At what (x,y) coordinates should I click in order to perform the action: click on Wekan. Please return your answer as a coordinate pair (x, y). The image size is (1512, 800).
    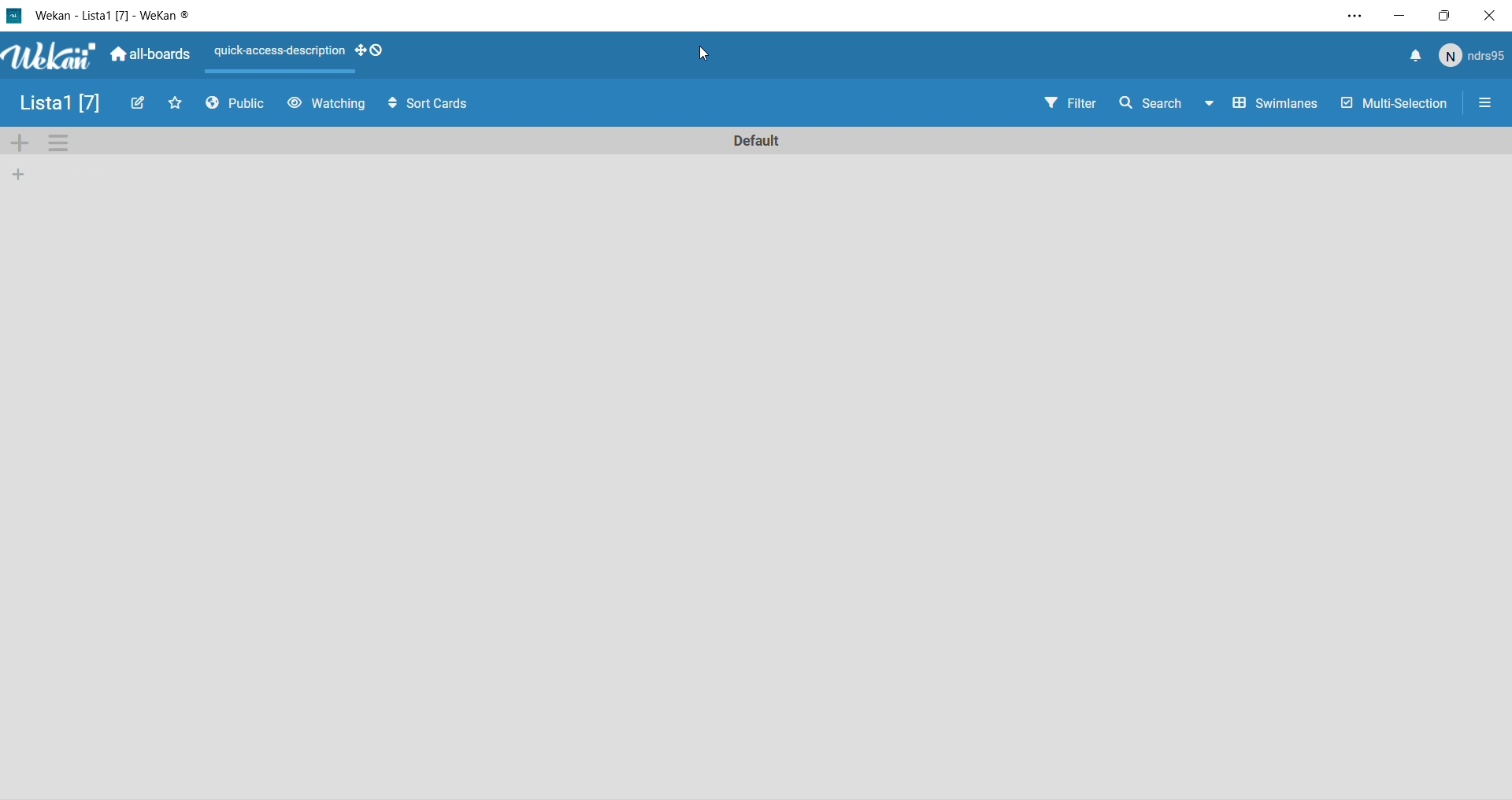
    Looking at the image, I should click on (100, 15).